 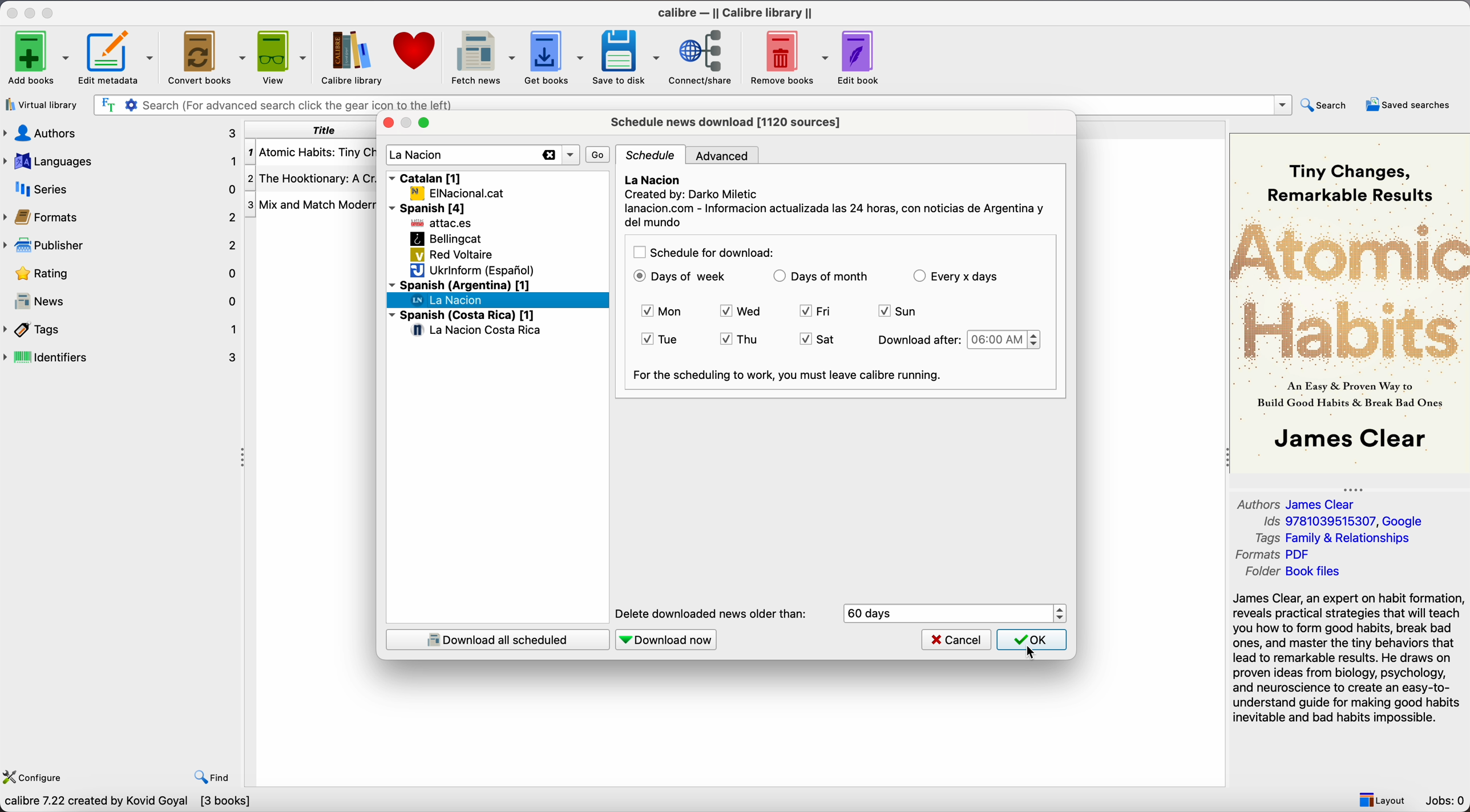 I want to click on Tags Family & Relationships, so click(x=1338, y=538).